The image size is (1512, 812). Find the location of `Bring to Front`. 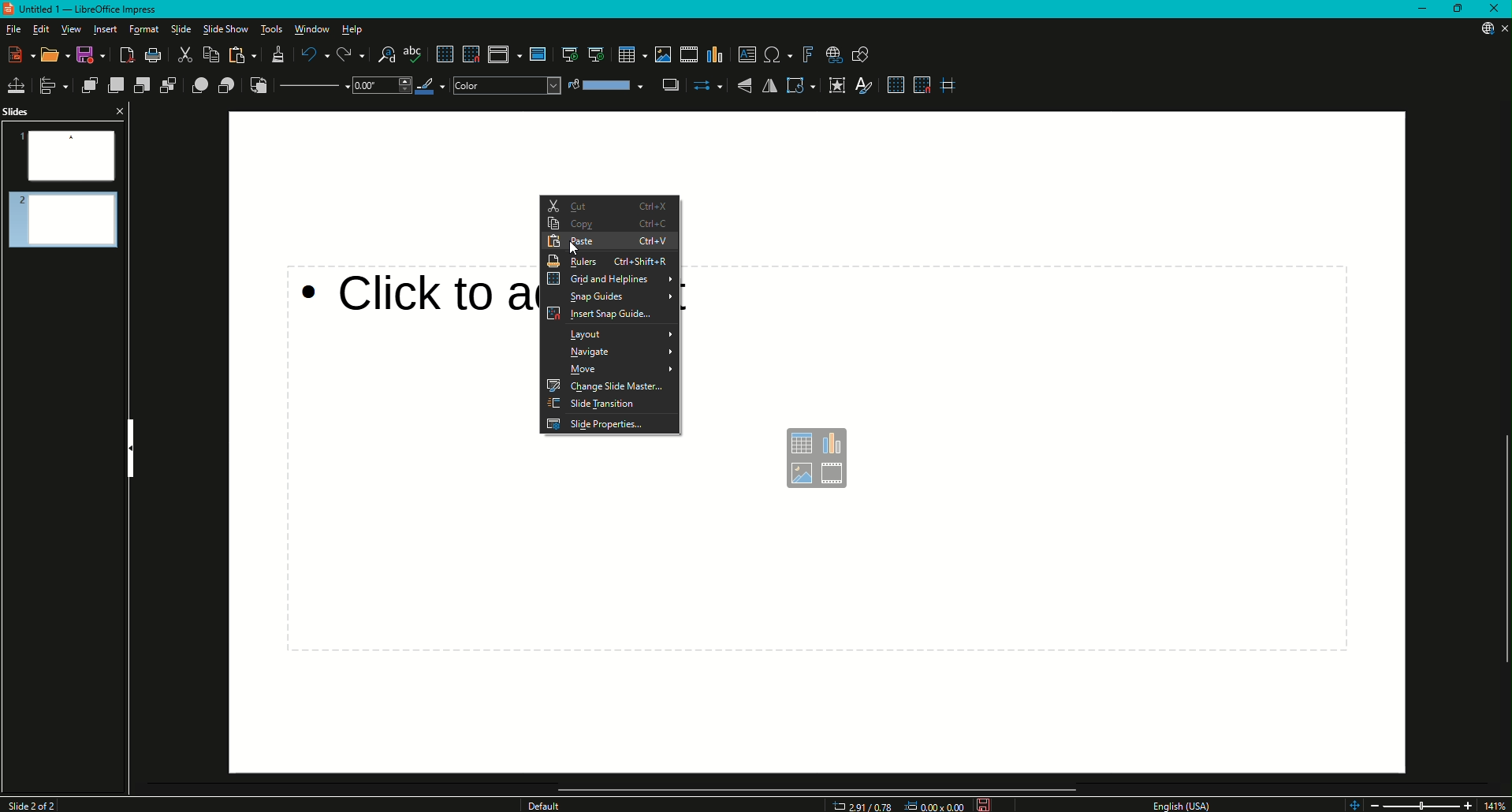

Bring to Front is located at coordinates (87, 85).